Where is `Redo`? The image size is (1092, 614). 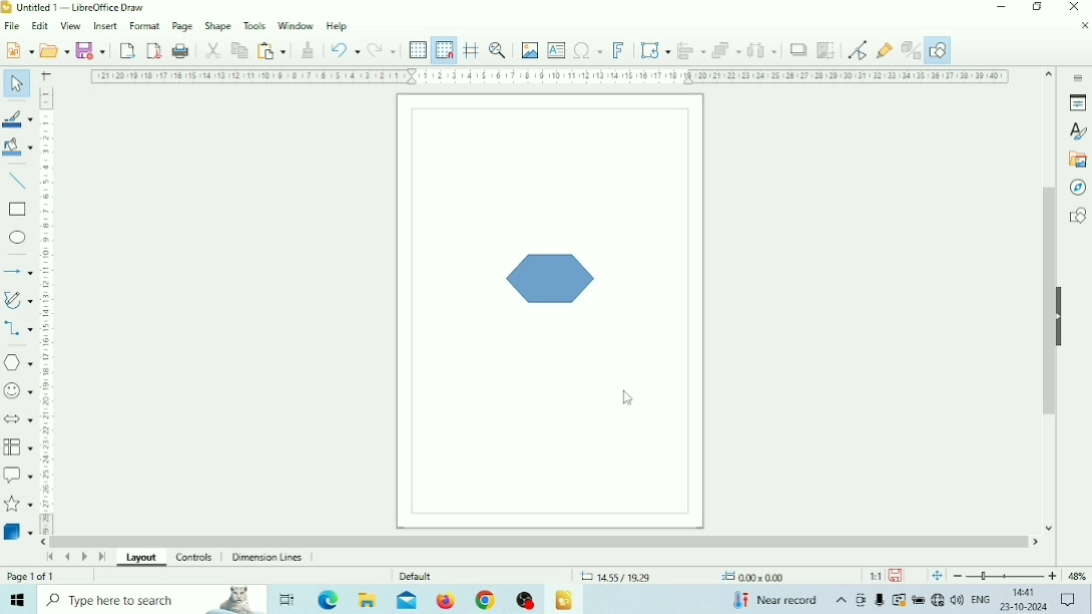
Redo is located at coordinates (381, 49).